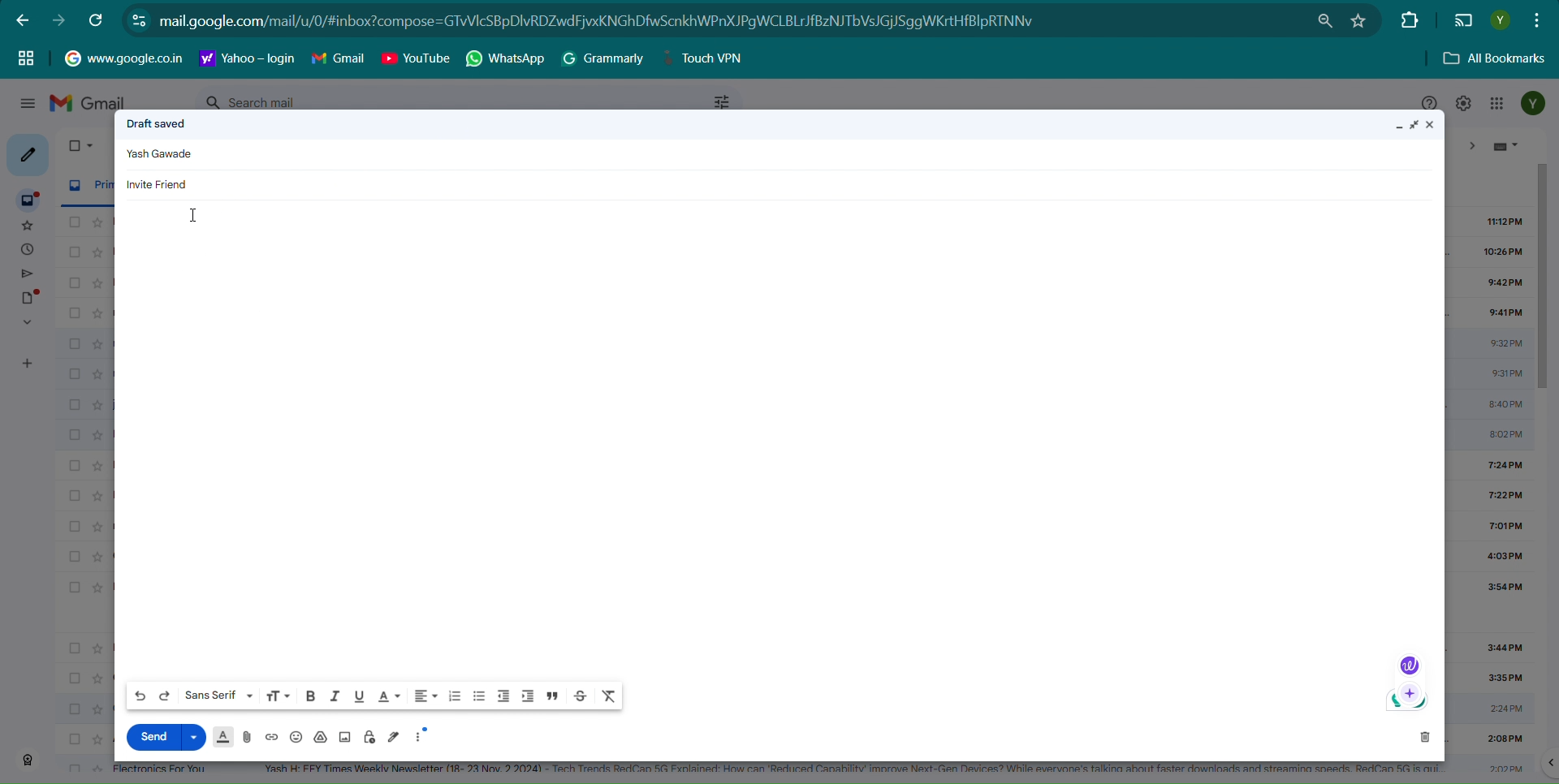 The width and height of the screenshot is (1559, 784). Describe the element at coordinates (157, 123) in the screenshot. I see `Text` at that location.